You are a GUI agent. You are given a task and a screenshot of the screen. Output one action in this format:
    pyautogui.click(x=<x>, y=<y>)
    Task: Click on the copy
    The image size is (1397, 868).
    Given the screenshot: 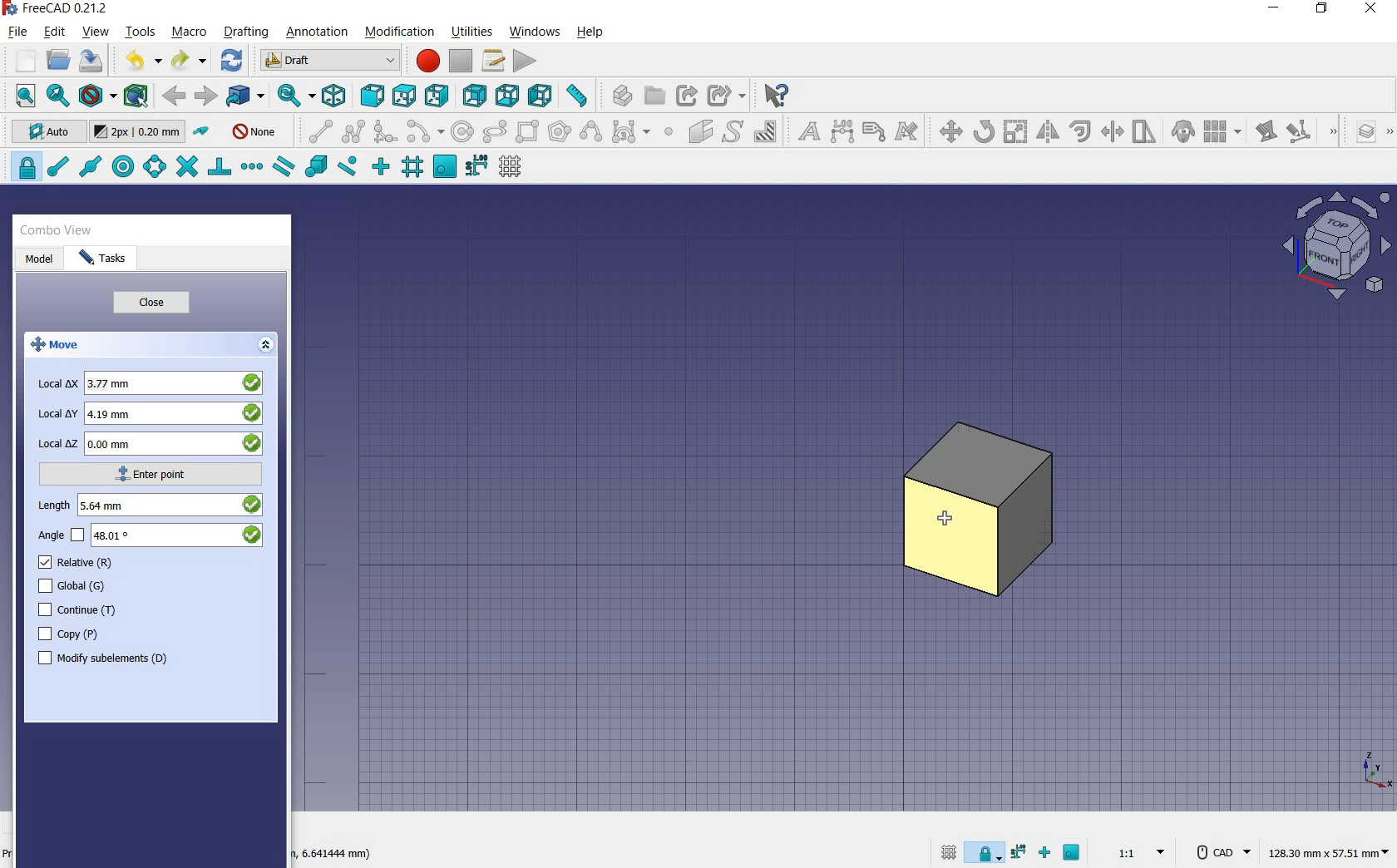 What is the action you would take?
    pyautogui.click(x=72, y=635)
    